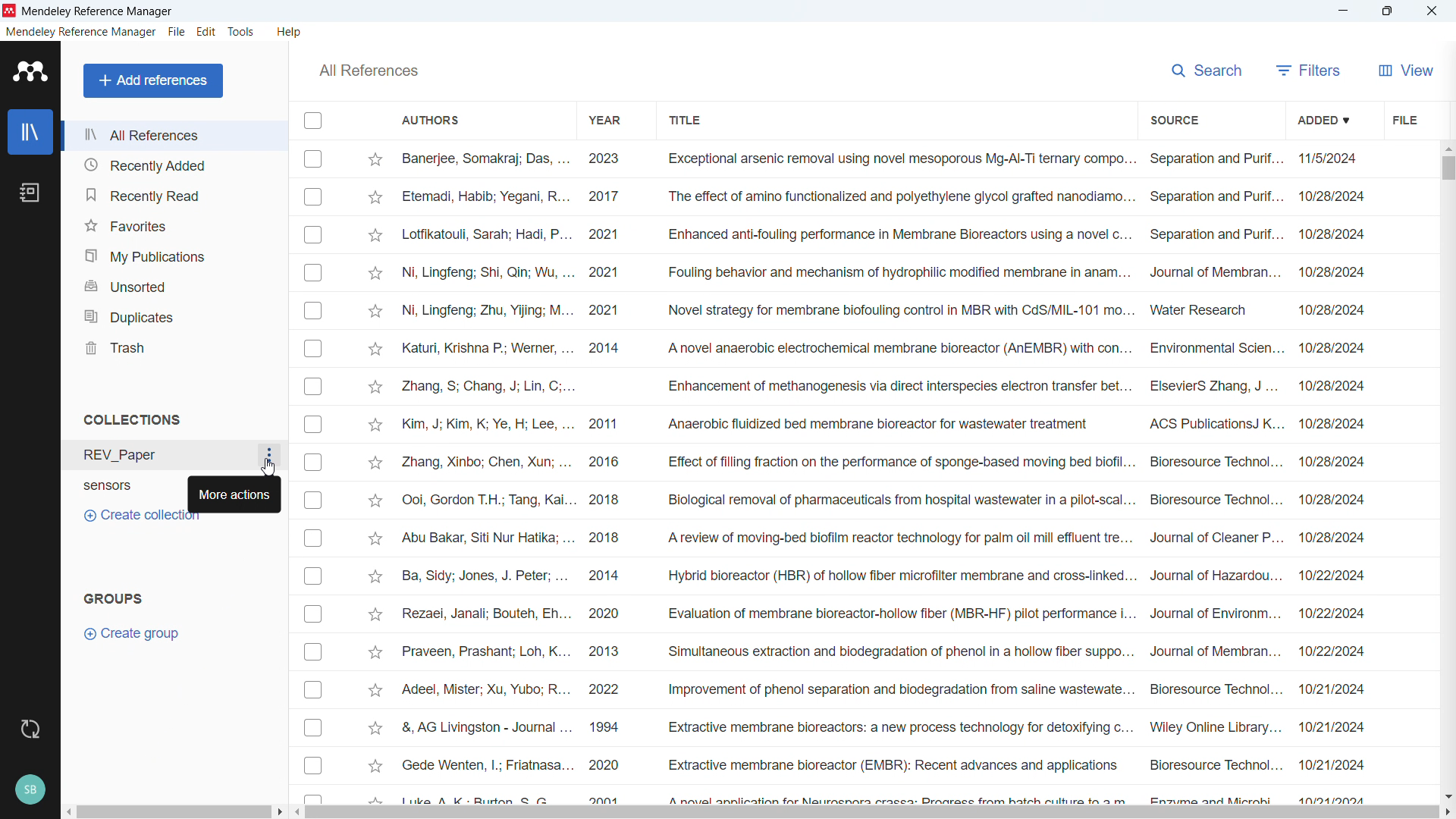 This screenshot has width=1456, height=819. Describe the element at coordinates (243, 31) in the screenshot. I see `tools` at that location.